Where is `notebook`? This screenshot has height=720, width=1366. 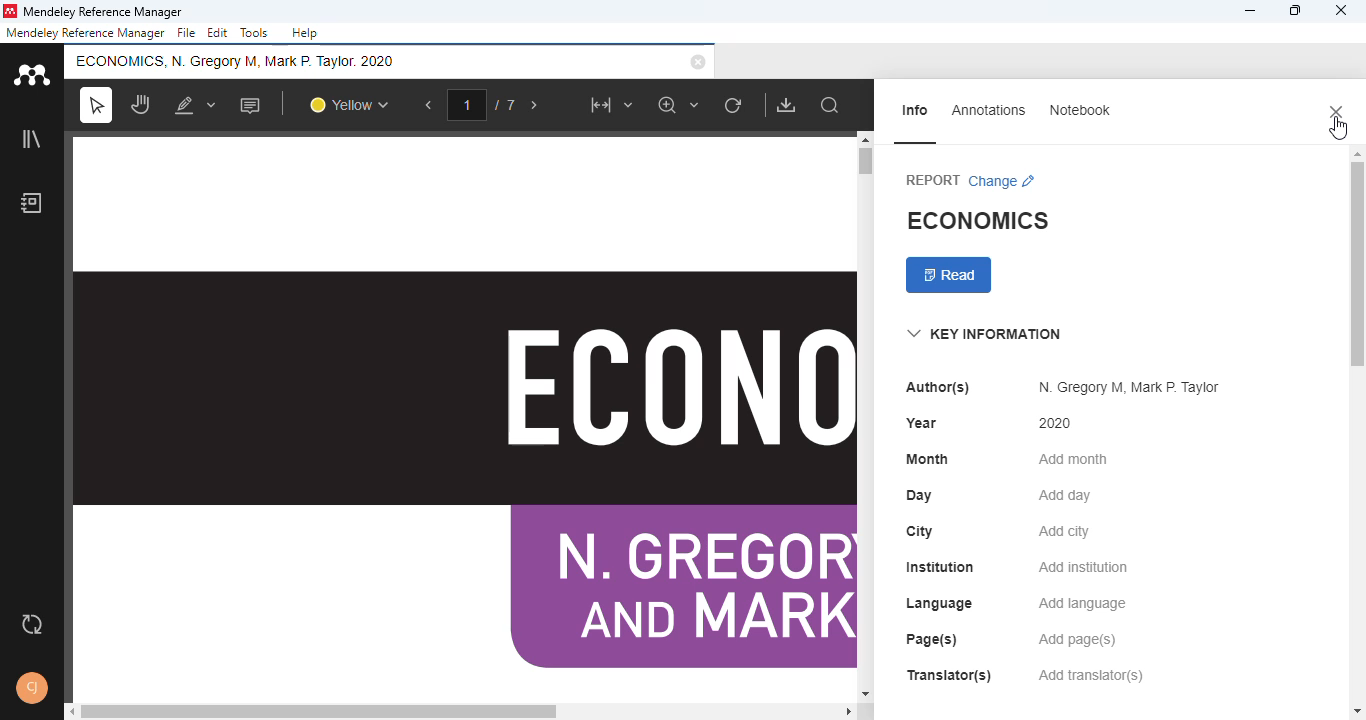
notebook is located at coordinates (32, 203).